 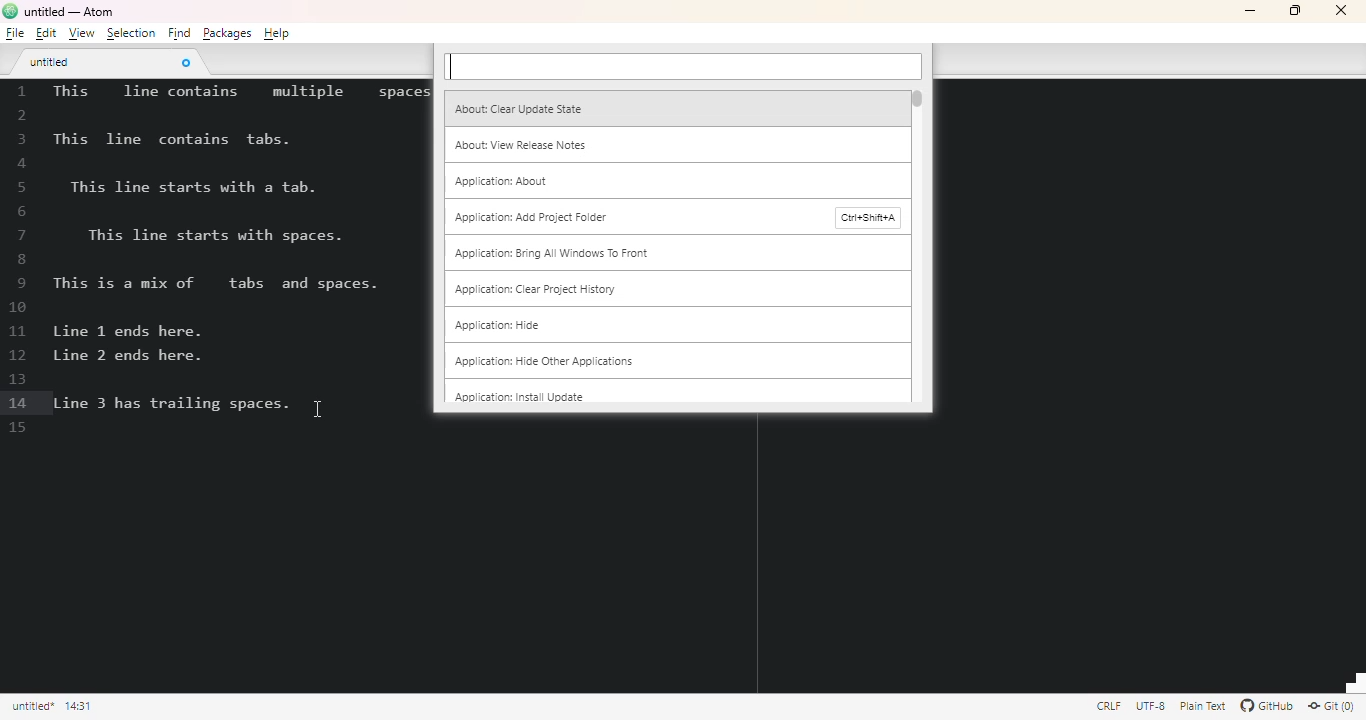 I want to click on about: clear update state, so click(x=520, y=110).